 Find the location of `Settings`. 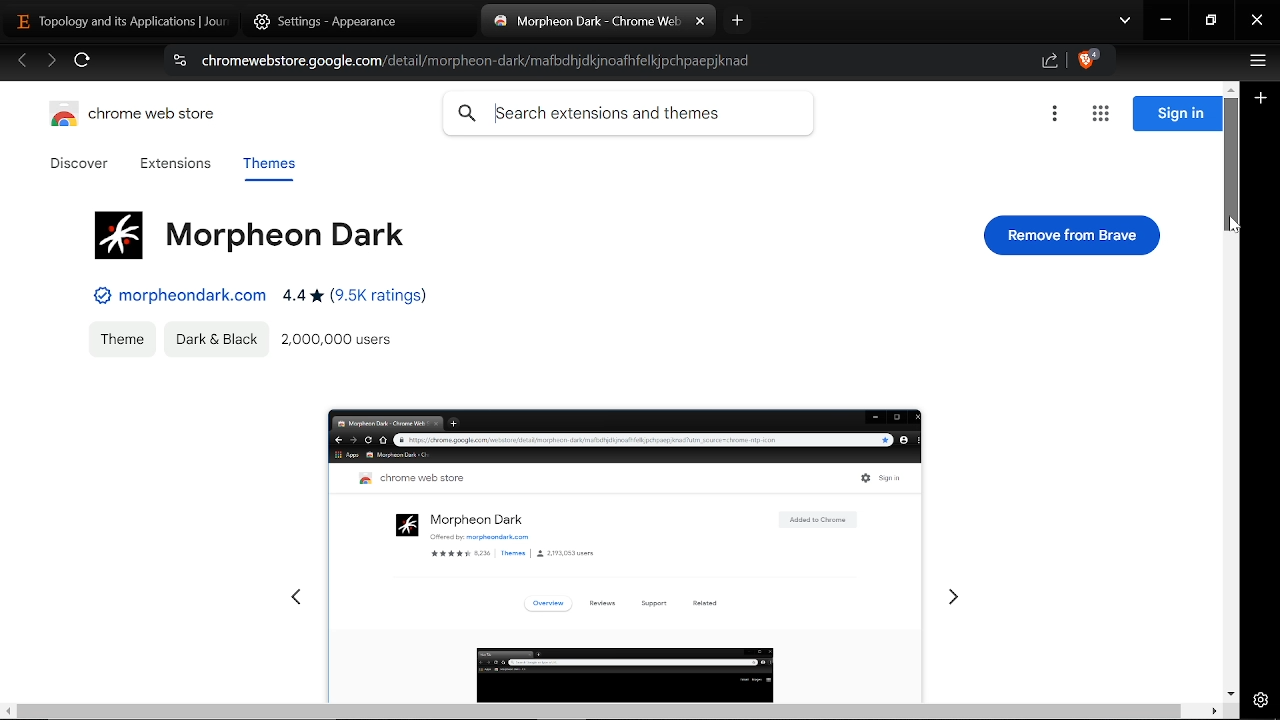

Settings is located at coordinates (1261, 699).